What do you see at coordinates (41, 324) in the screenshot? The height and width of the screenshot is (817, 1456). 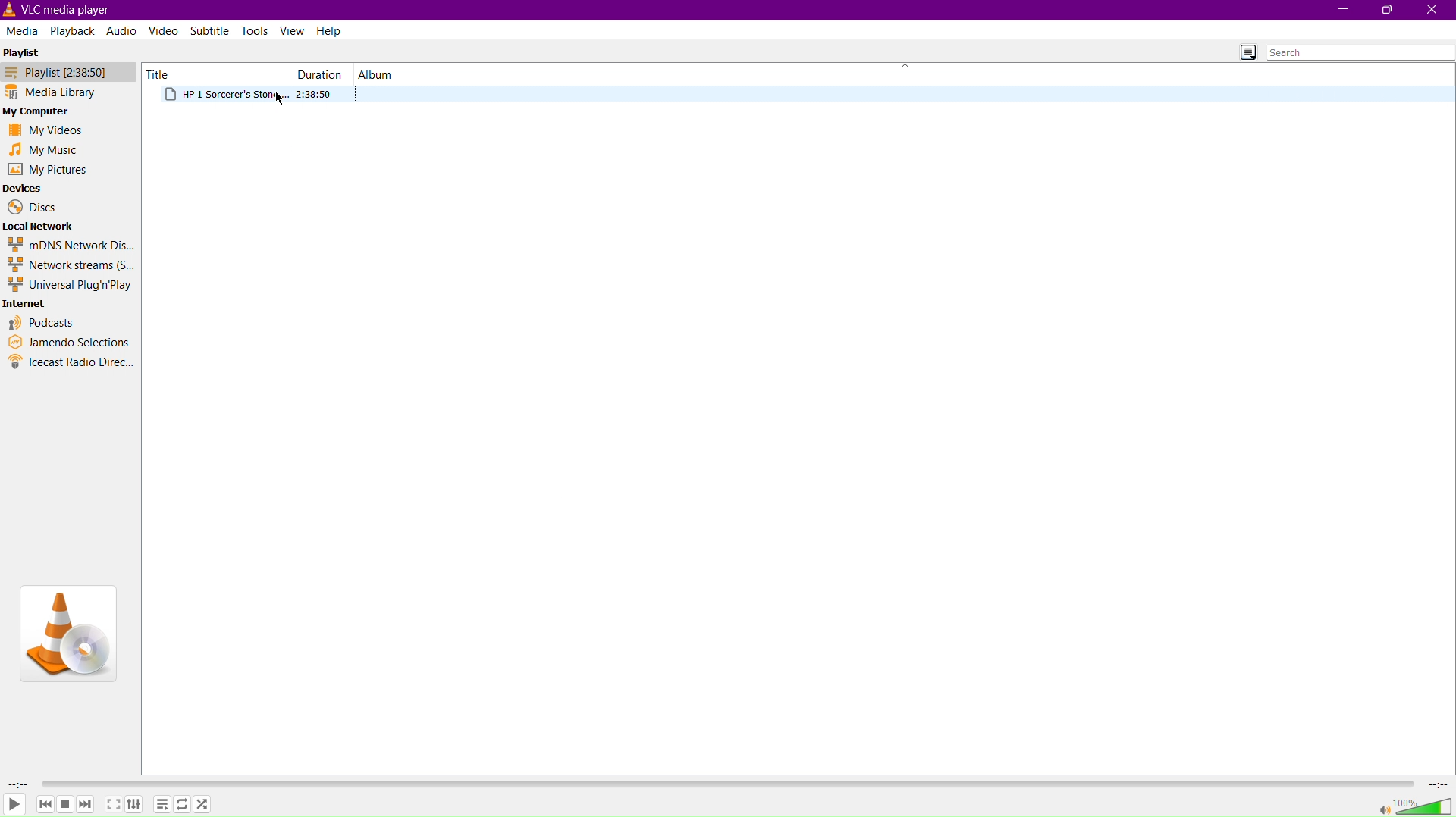 I see `Podcasts` at bounding box center [41, 324].